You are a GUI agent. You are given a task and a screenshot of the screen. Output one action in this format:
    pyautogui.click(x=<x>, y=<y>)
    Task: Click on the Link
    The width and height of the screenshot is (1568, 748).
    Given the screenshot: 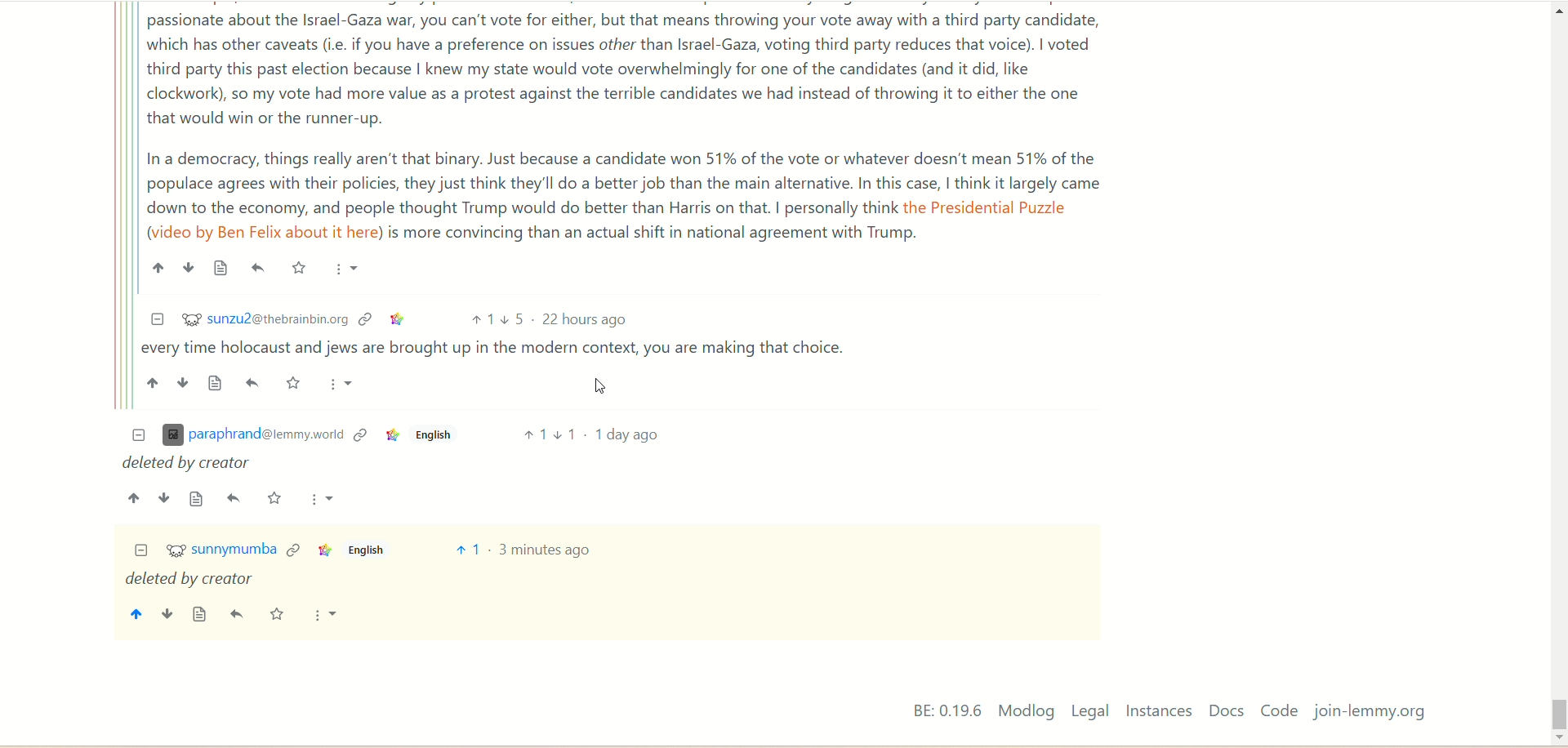 What is the action you would take?
    pyautogui.click(x=323, y=550)
    